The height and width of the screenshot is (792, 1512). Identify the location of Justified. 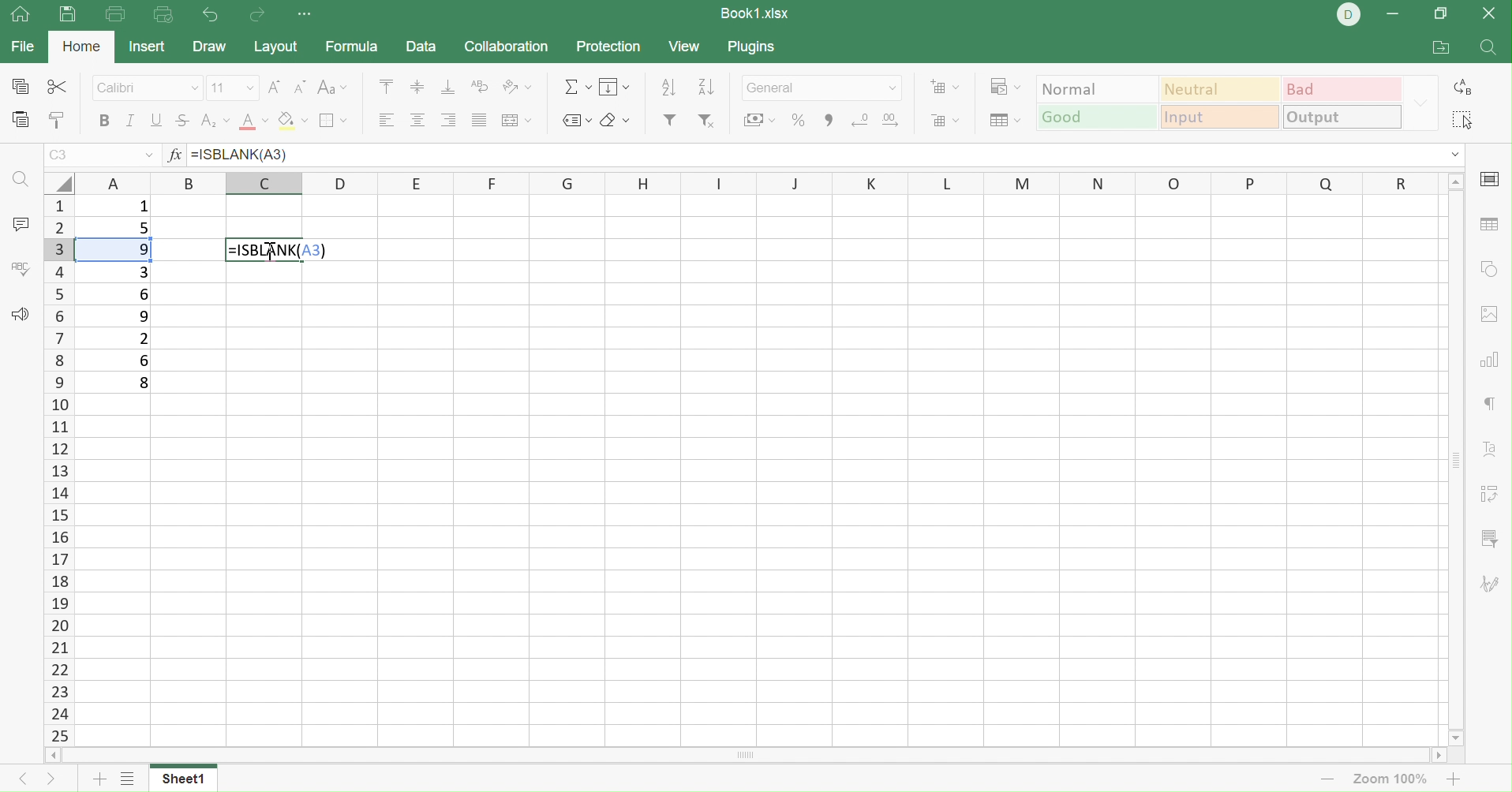
(480, 119).